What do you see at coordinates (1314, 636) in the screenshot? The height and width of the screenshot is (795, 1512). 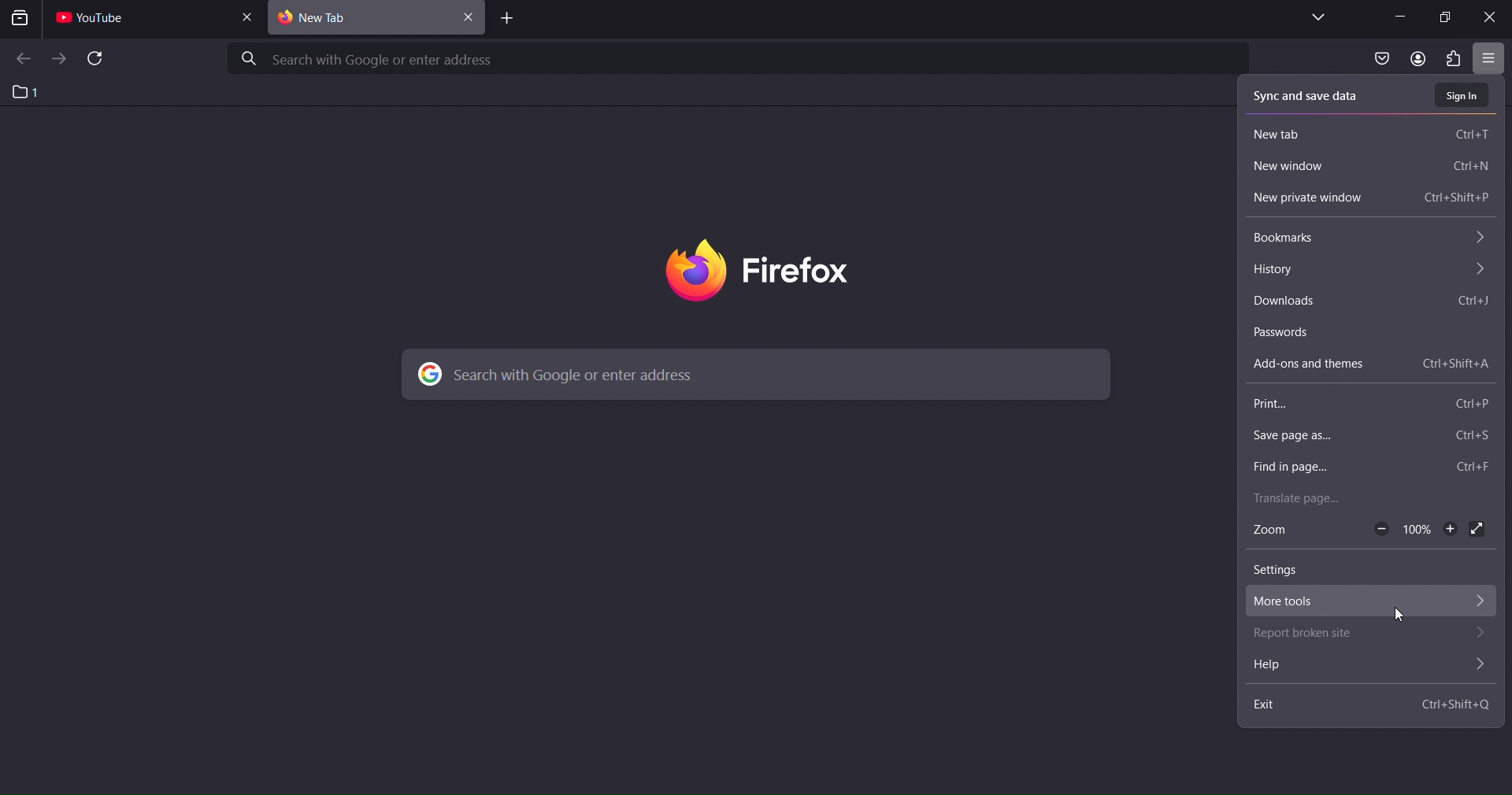 I see `report broken site` at bounding box center [1314, 636].